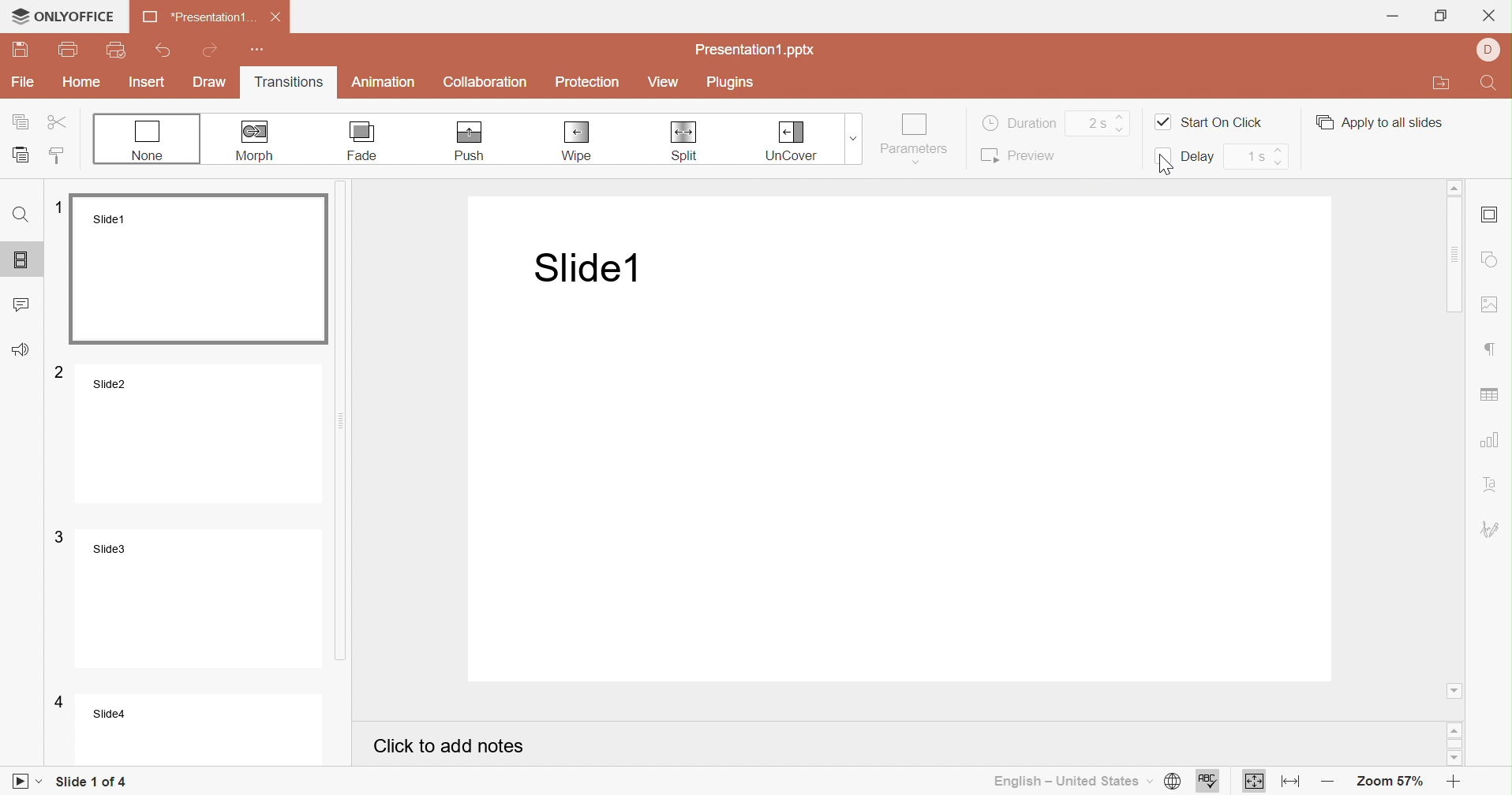  I want to click on Start slideshow, so click(28, 782).